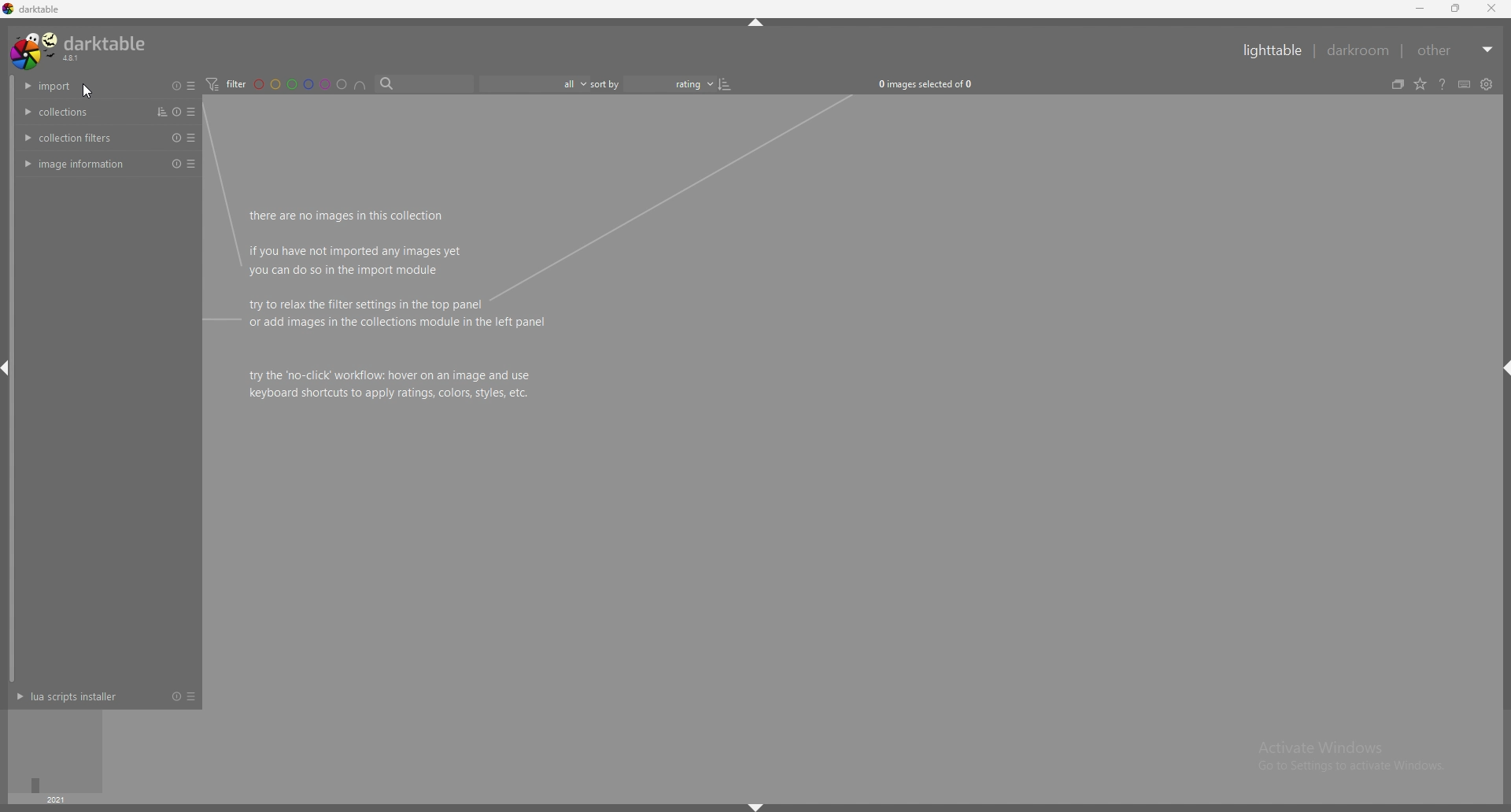 The width and height of the screenshot is (1511, 812). I want to click on hide, so click(756, 806).